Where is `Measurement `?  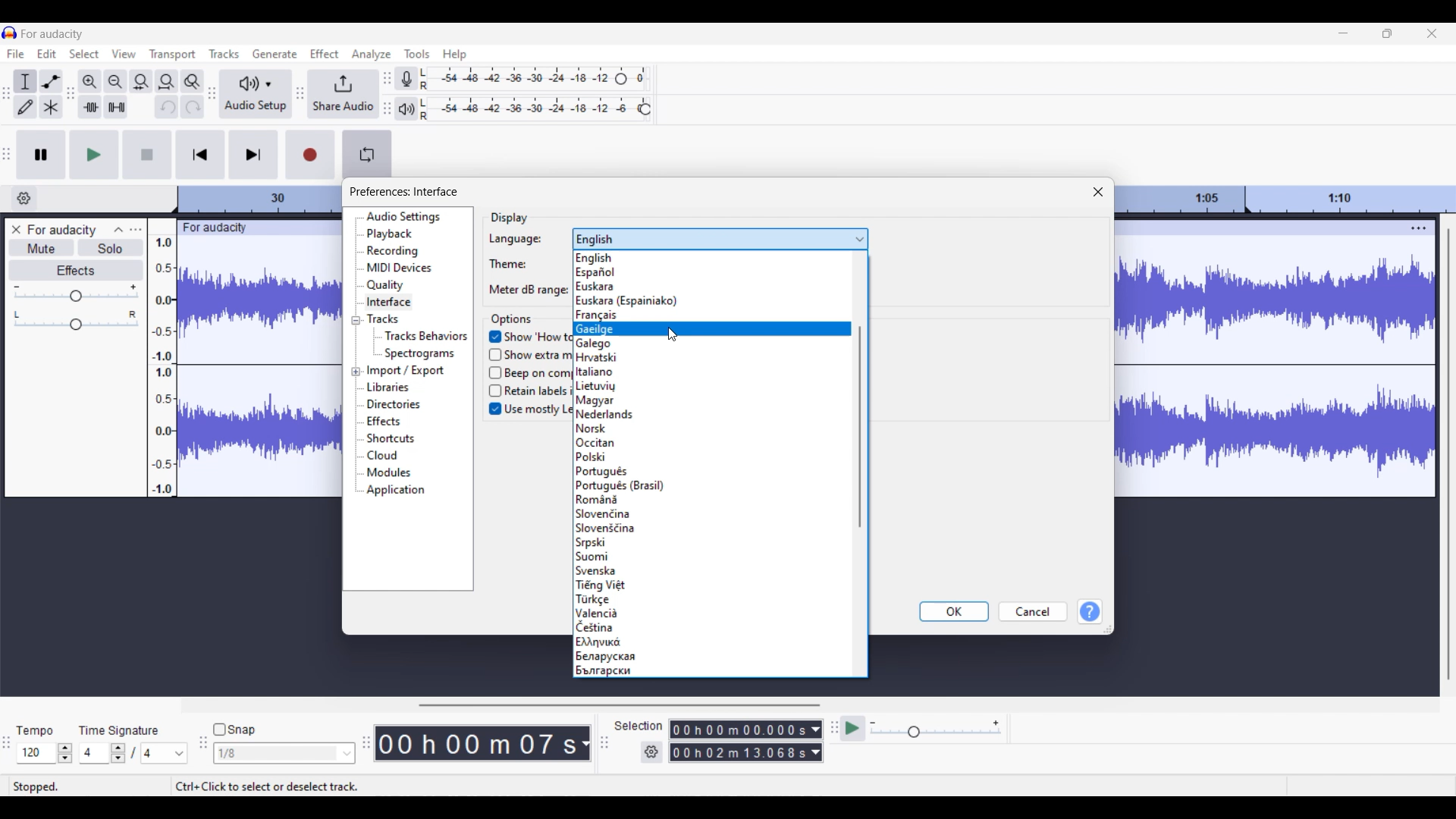 Measurement  is located at coordinates (585, 744).